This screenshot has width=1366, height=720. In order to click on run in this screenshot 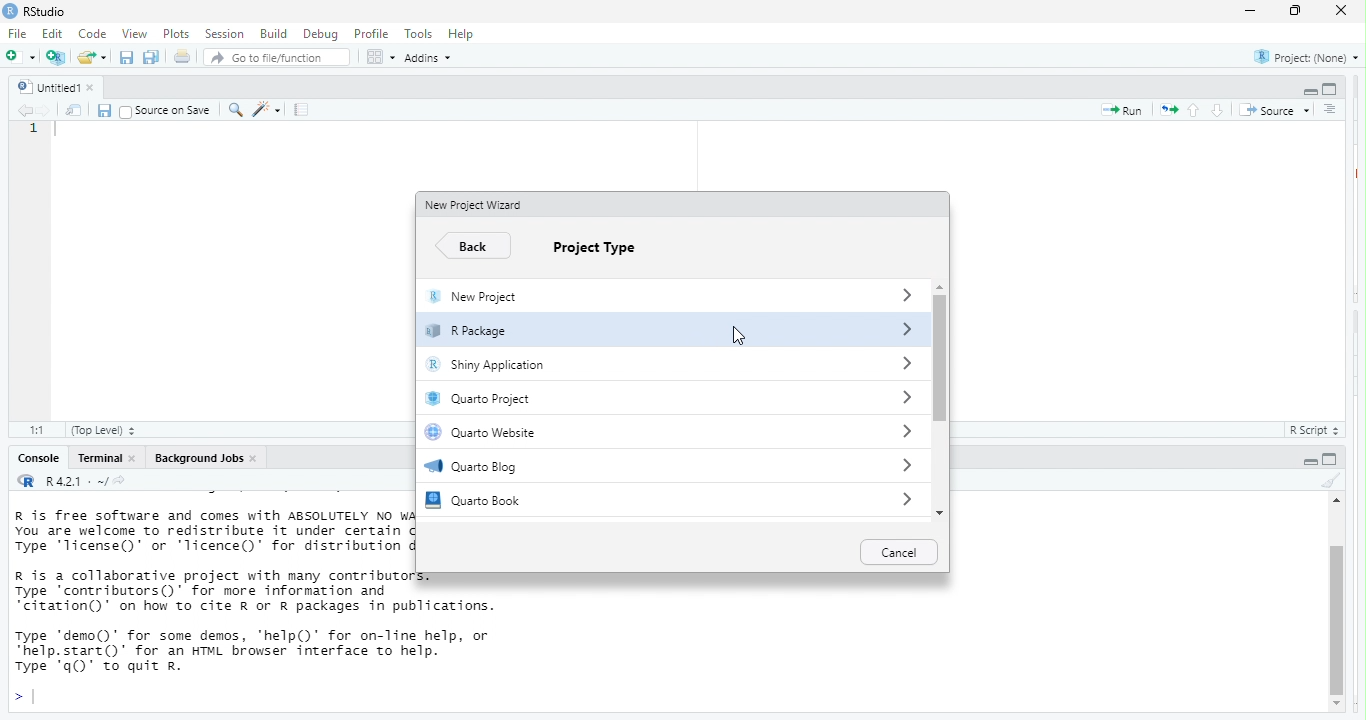, I will do `click(1118, 112)`.